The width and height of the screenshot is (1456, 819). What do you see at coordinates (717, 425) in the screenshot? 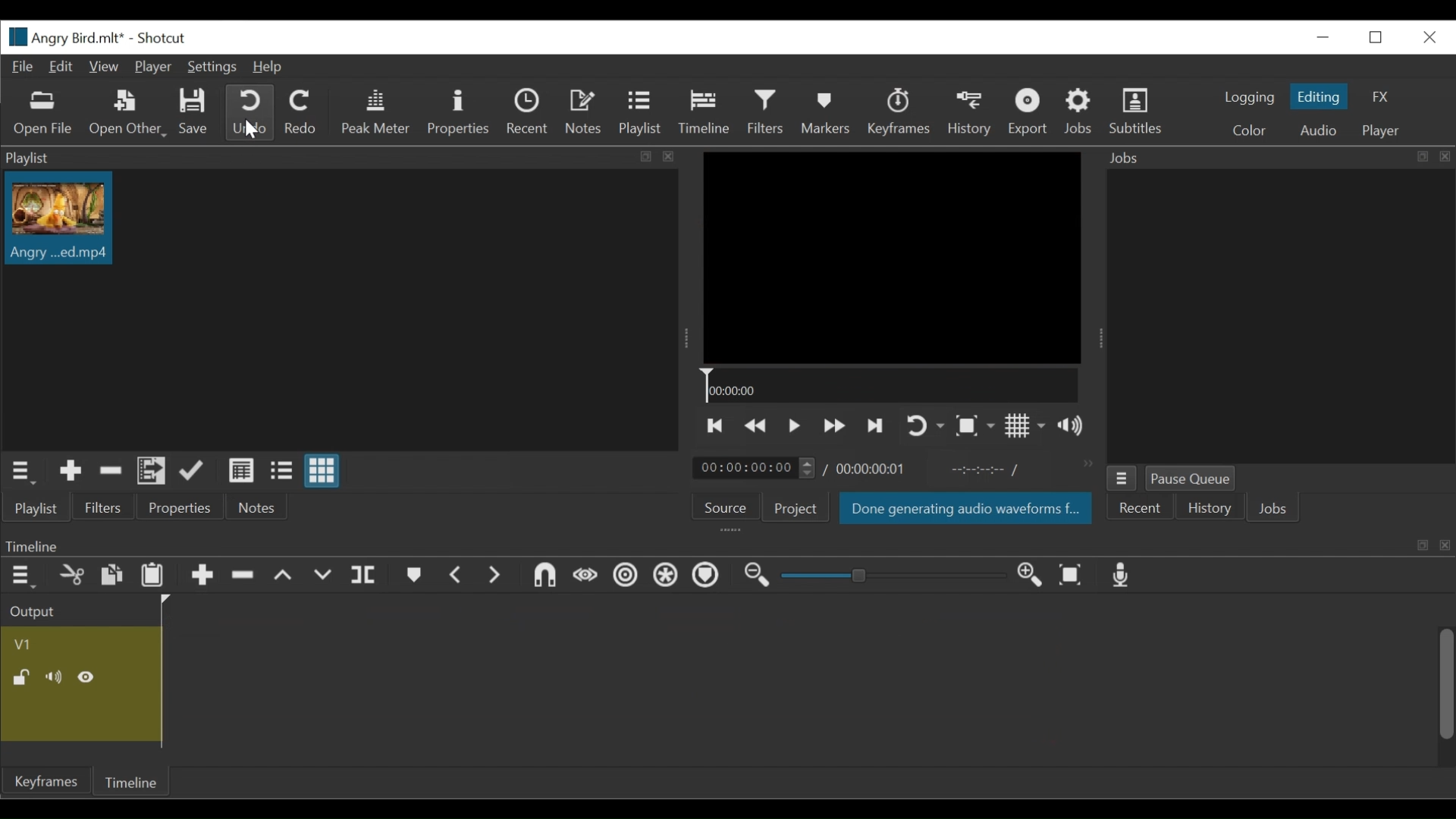
I see `Skip to the previous point` at bounding box center [717, 425].